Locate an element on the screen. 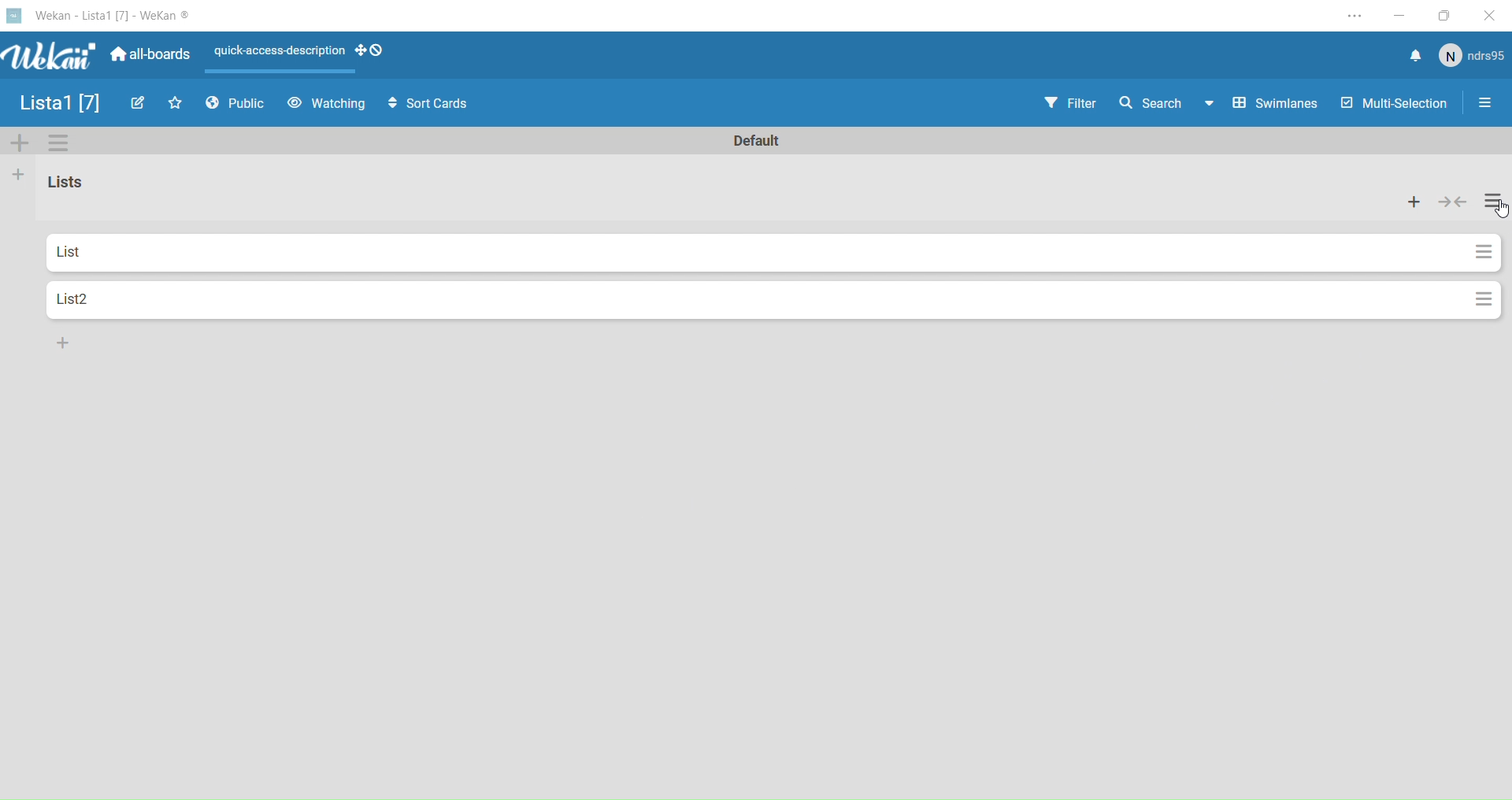  Wekan is located at coordinates (100, 15).